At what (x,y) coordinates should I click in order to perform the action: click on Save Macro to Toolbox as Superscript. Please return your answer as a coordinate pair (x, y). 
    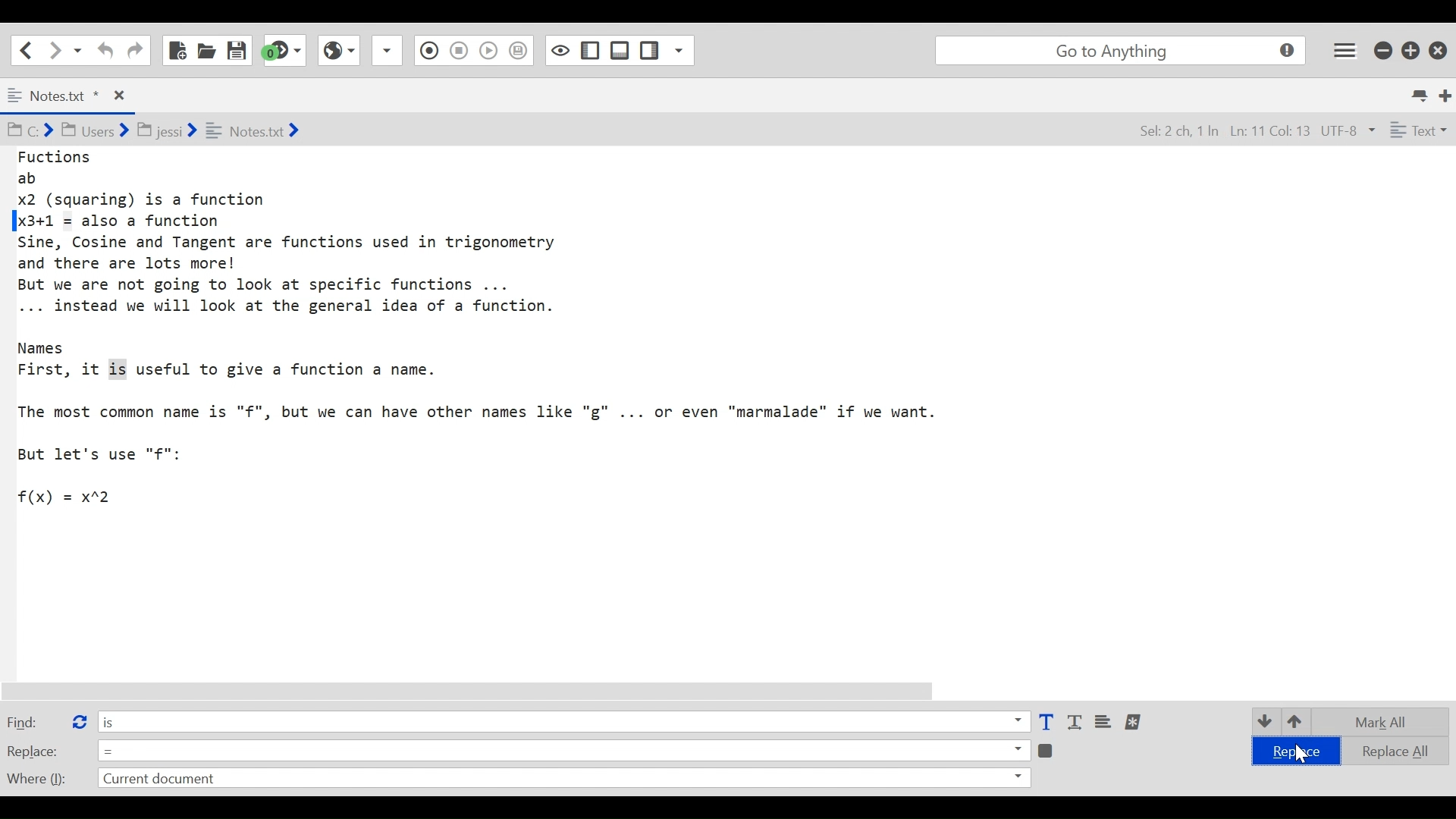
    Looking at the image, I should click on (491, 49).